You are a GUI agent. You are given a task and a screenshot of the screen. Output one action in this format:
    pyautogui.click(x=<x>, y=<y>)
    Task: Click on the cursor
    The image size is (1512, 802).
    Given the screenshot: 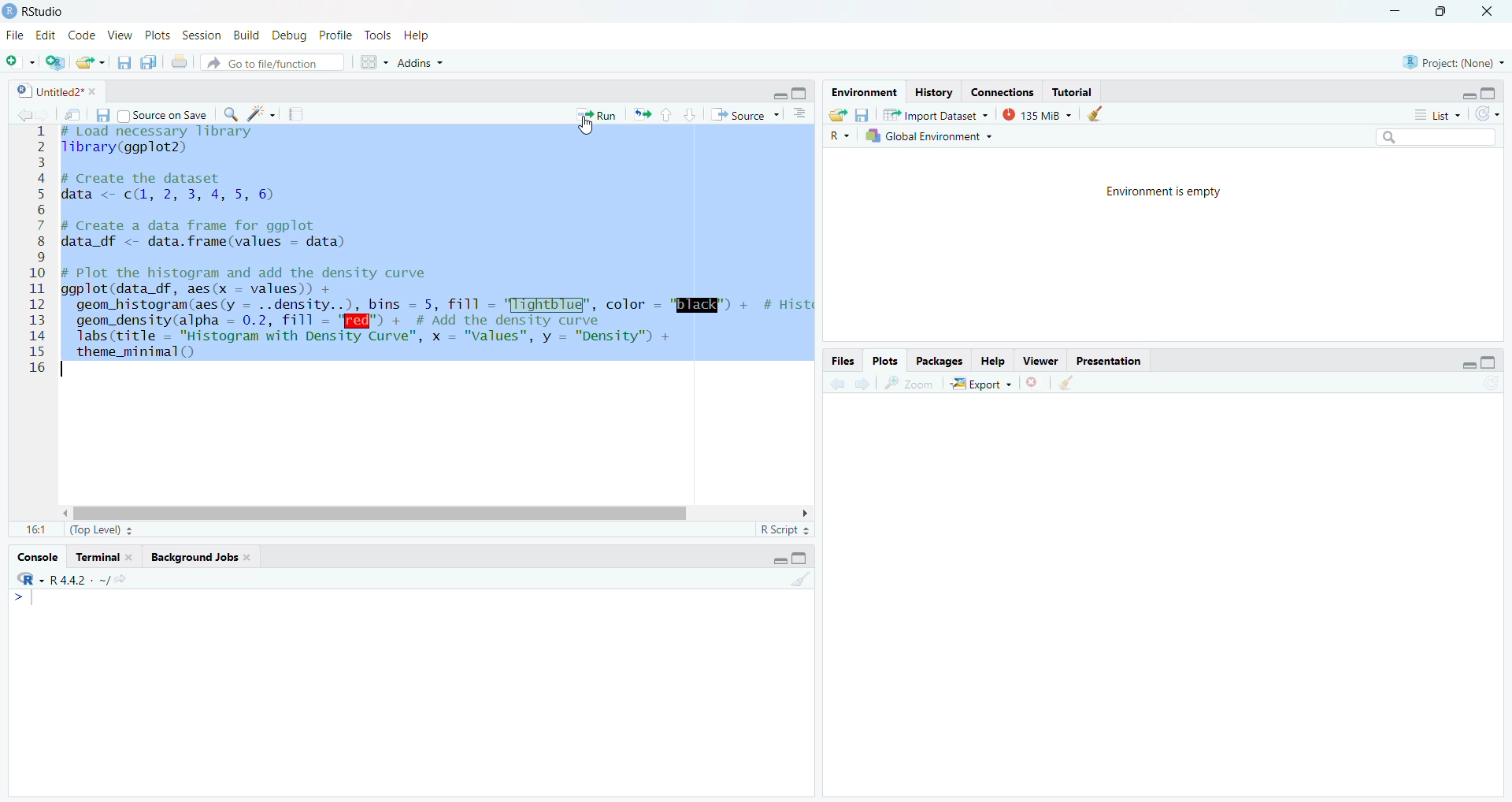 What is the action you would take?
    pyautogui.click(x=590, y=127)
    